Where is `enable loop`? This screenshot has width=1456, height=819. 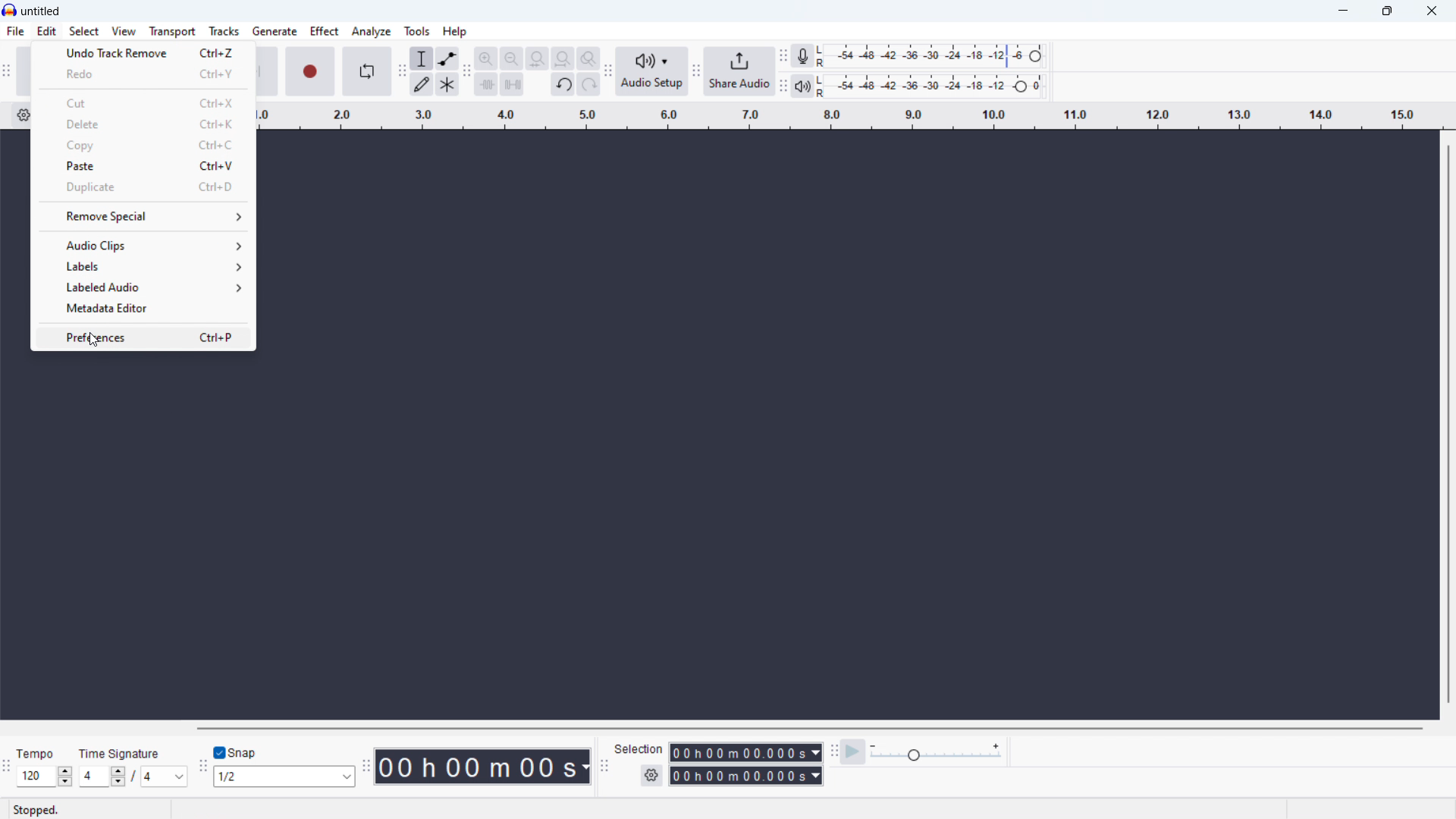 enable loop is located at coordinates (368, 71).